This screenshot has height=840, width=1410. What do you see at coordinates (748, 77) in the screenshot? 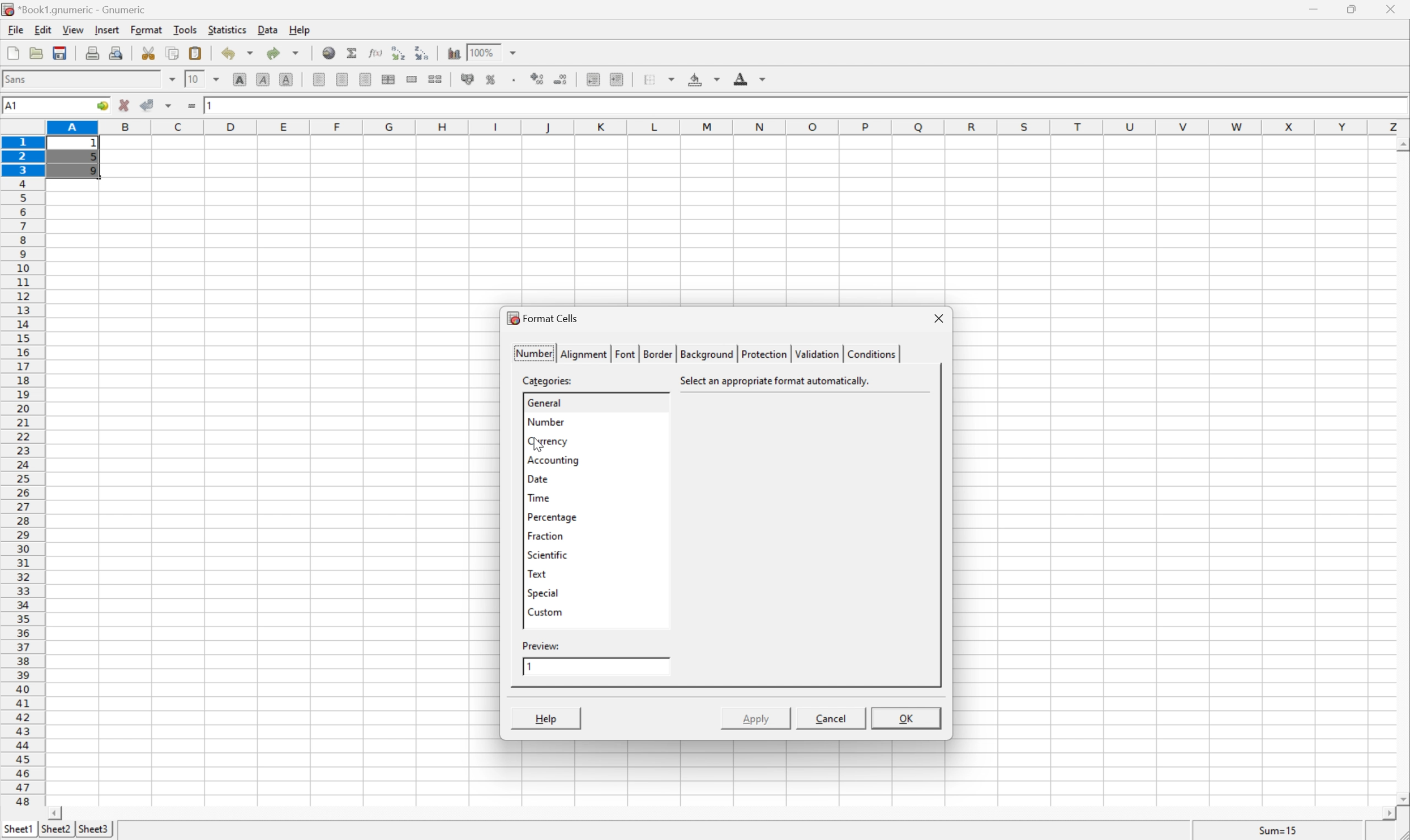
I see `foreground` at bounding box center [748, 77].